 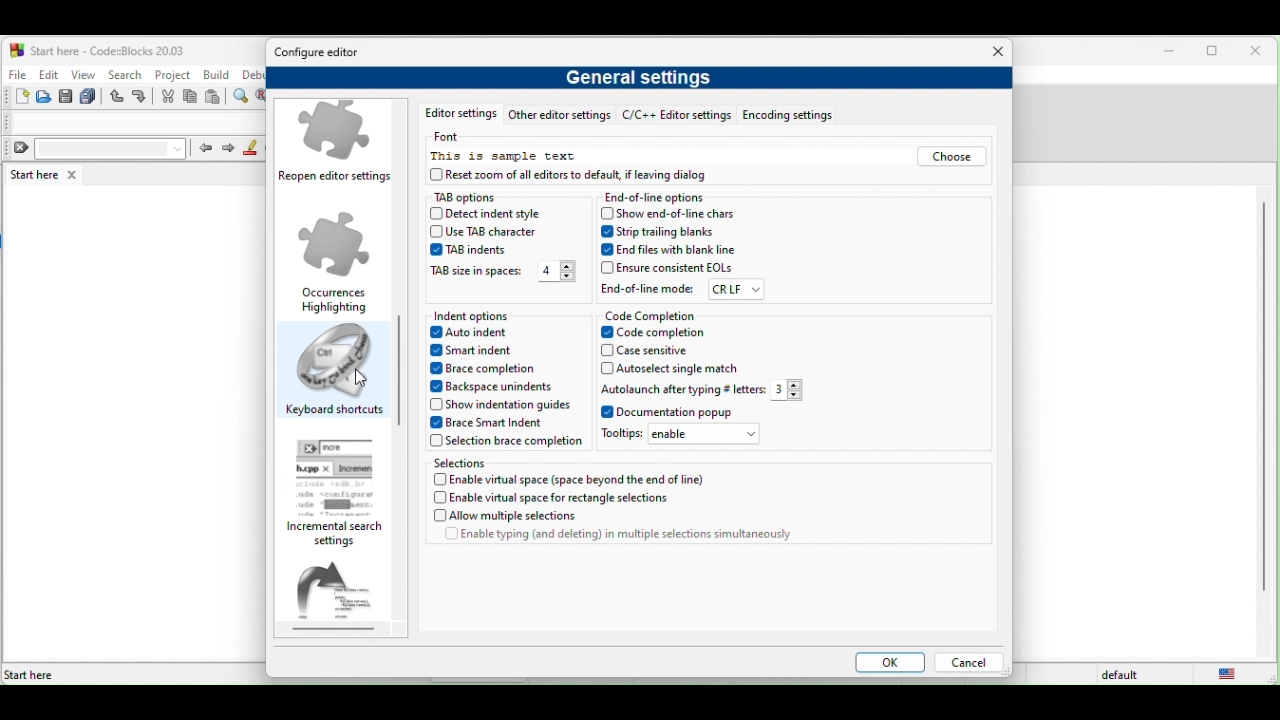 What do you see at coordinates (243, 97) in the screenshot?
I see `find ` at bounding box center [243, 97].